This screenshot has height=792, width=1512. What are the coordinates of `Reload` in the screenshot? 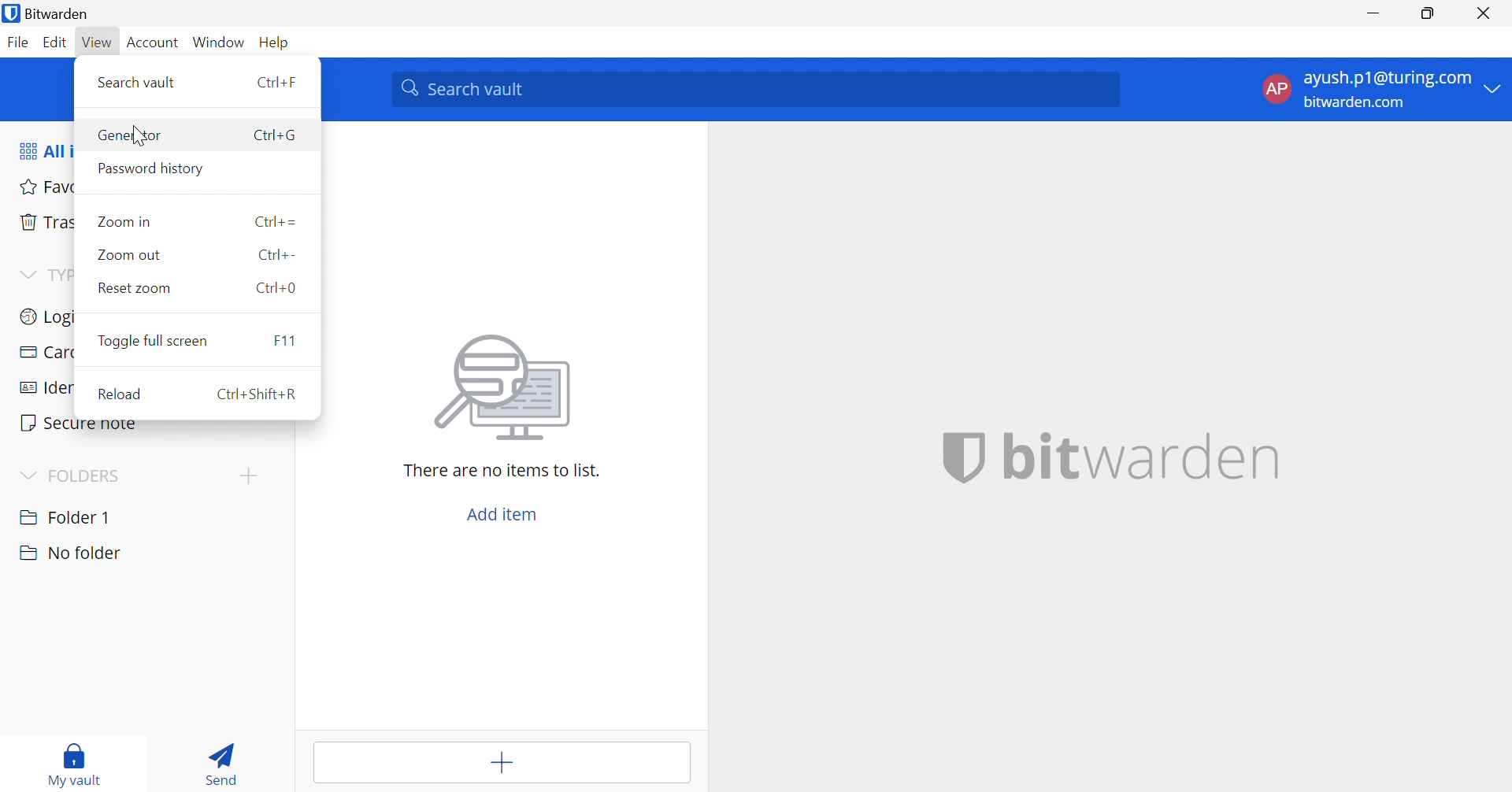 It's located at (119, 393).